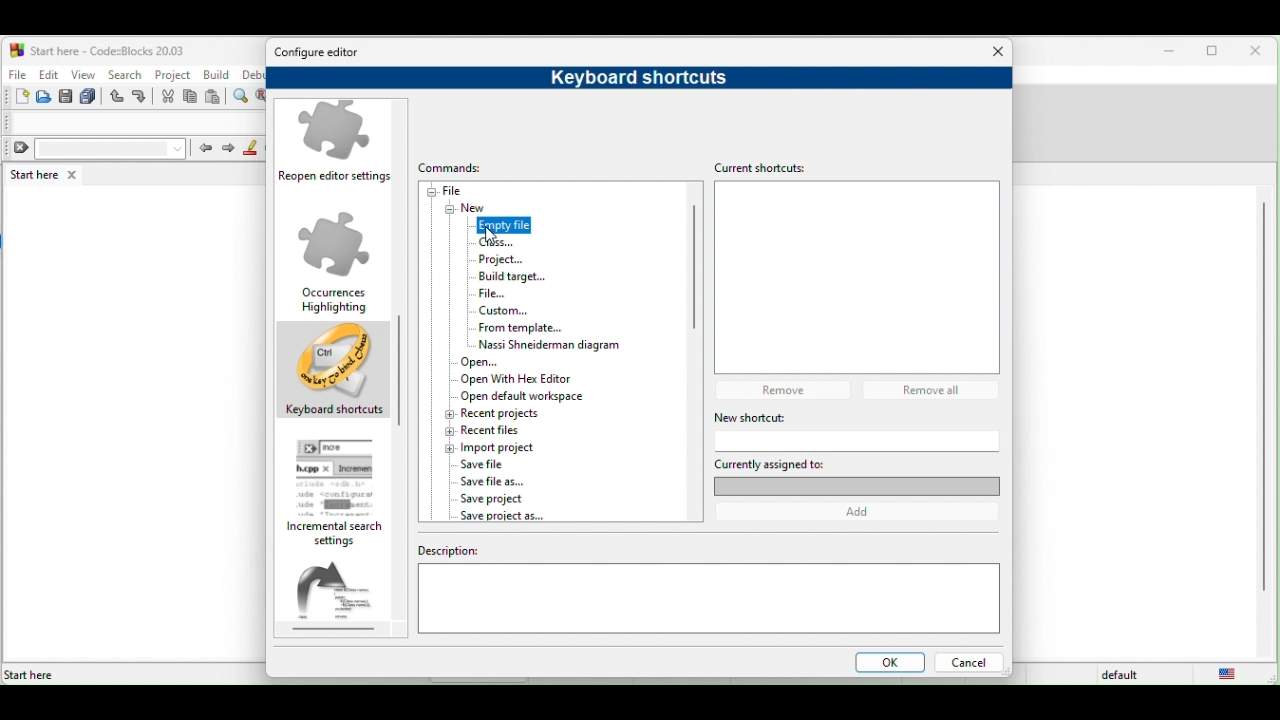 The width and height of the screenshot is (1280, 720). What do you see at coordinates (30, 675) in the screenshot?
I see `Start here` at bounding box center [30, 675].